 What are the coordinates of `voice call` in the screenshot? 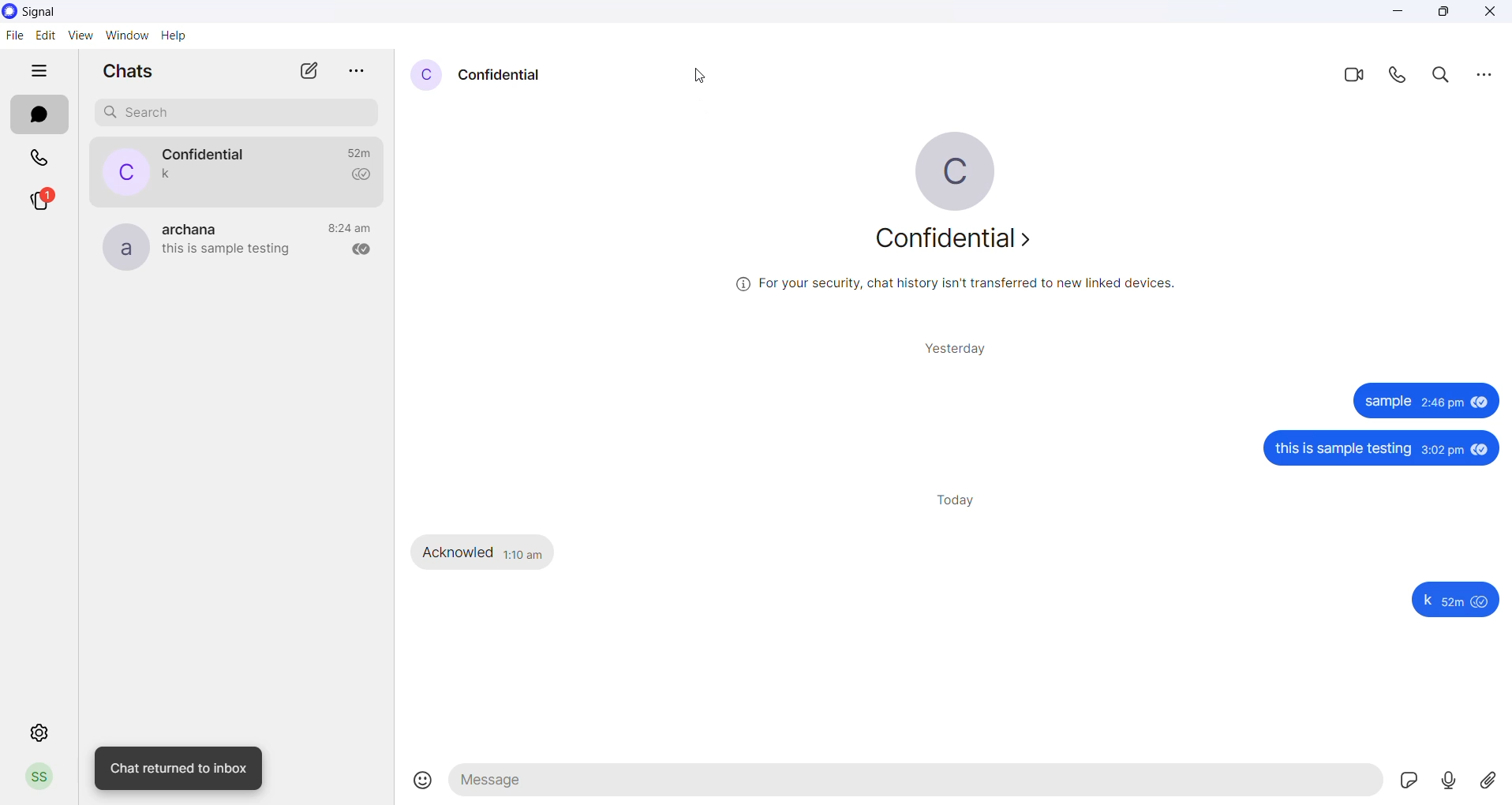 It's located at (1403, 78).